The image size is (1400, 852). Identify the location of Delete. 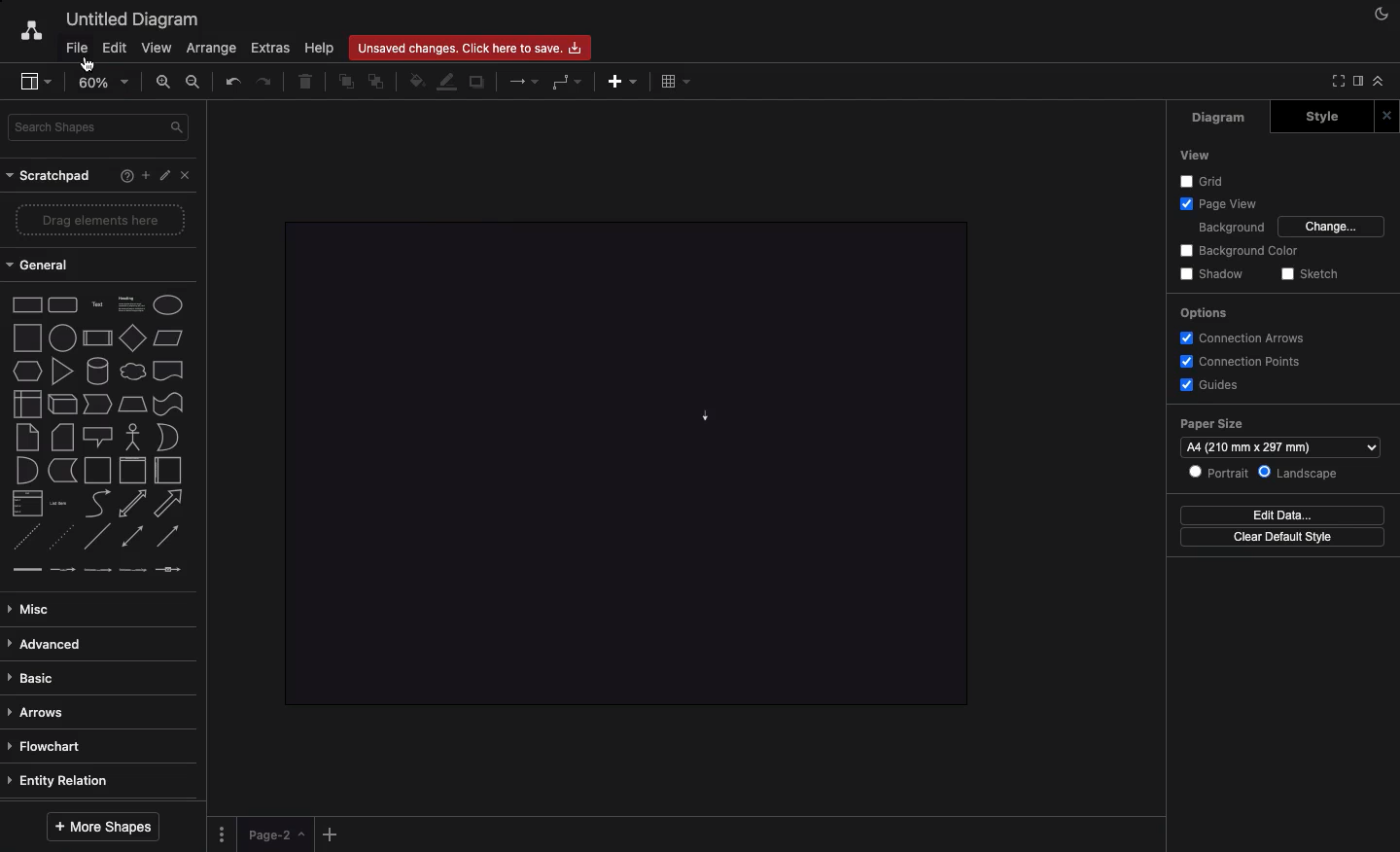
(306, 83).